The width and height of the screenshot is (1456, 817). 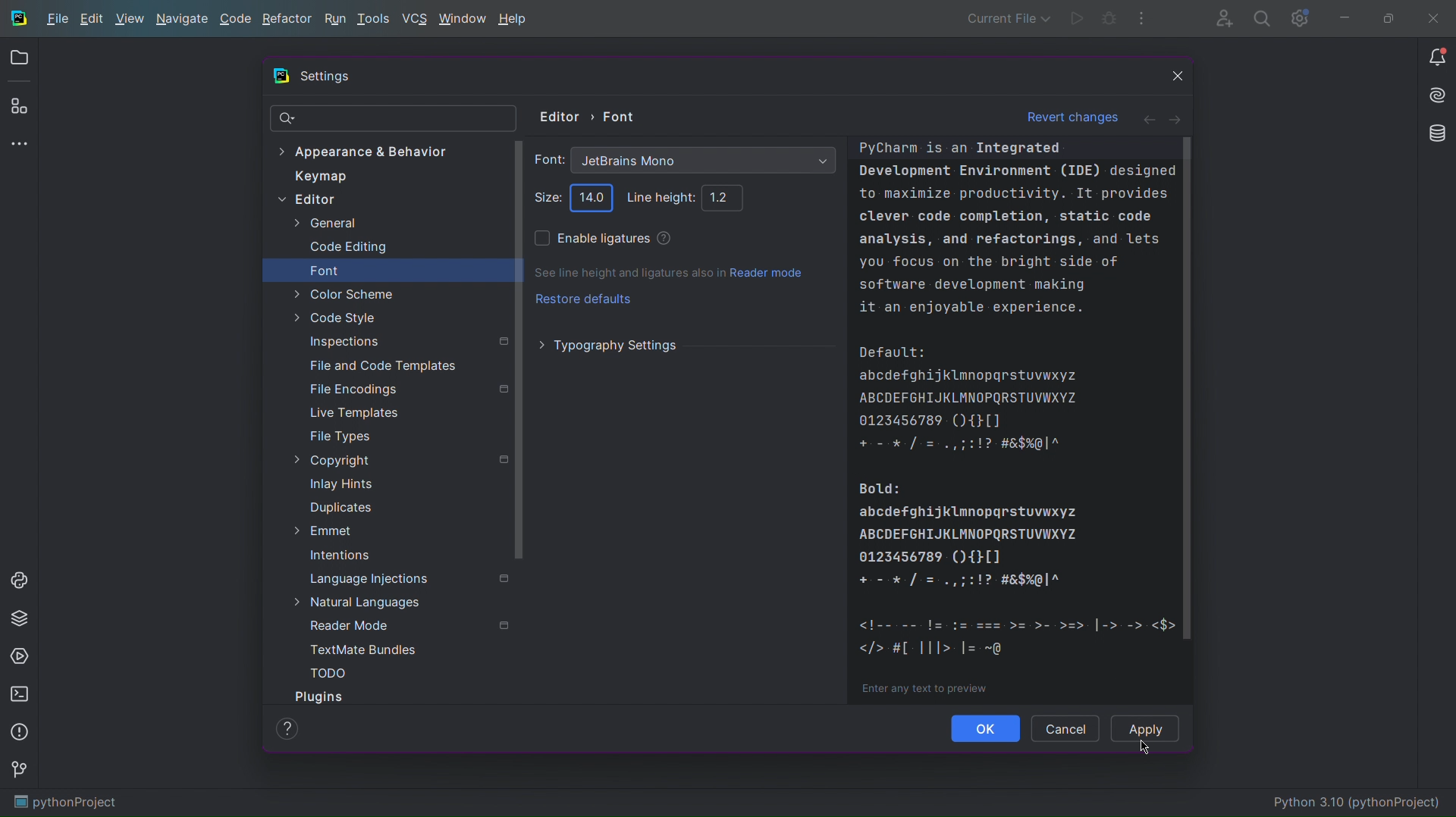 I want to click on Run, so click(x=334, y=20).